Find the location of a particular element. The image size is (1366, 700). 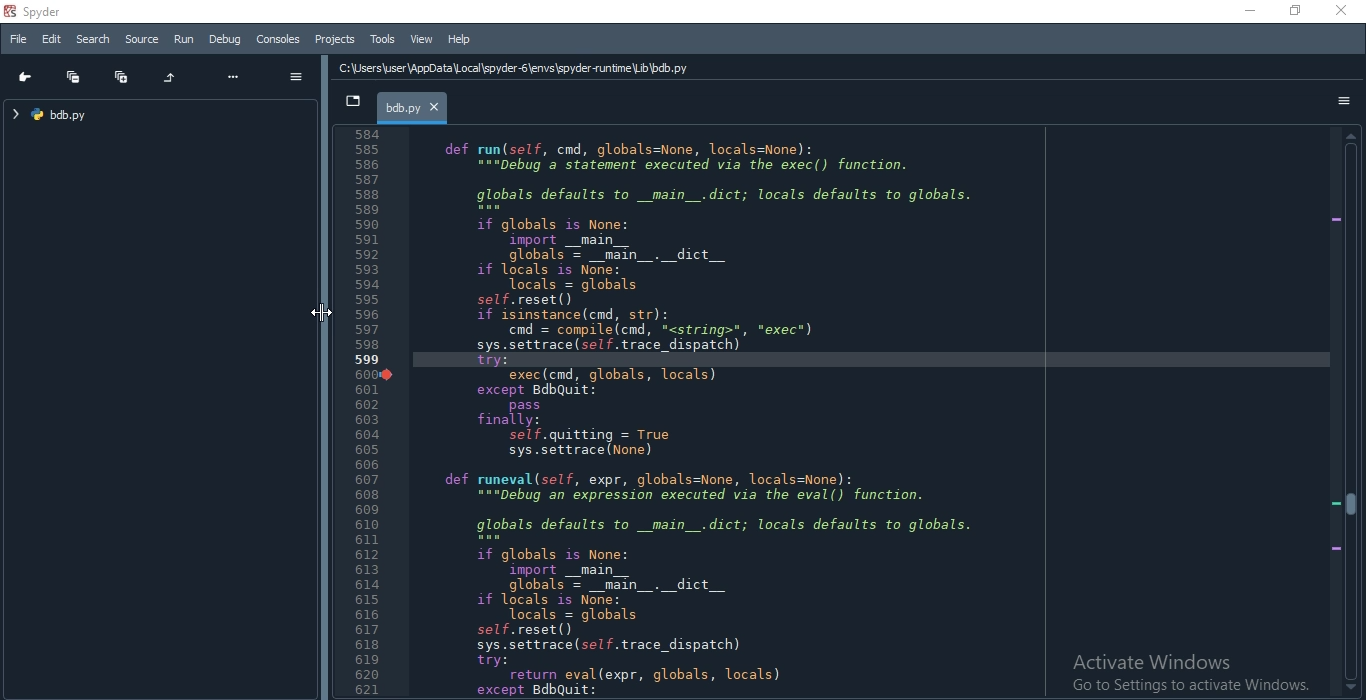

options is located at coordinates (296, 77).